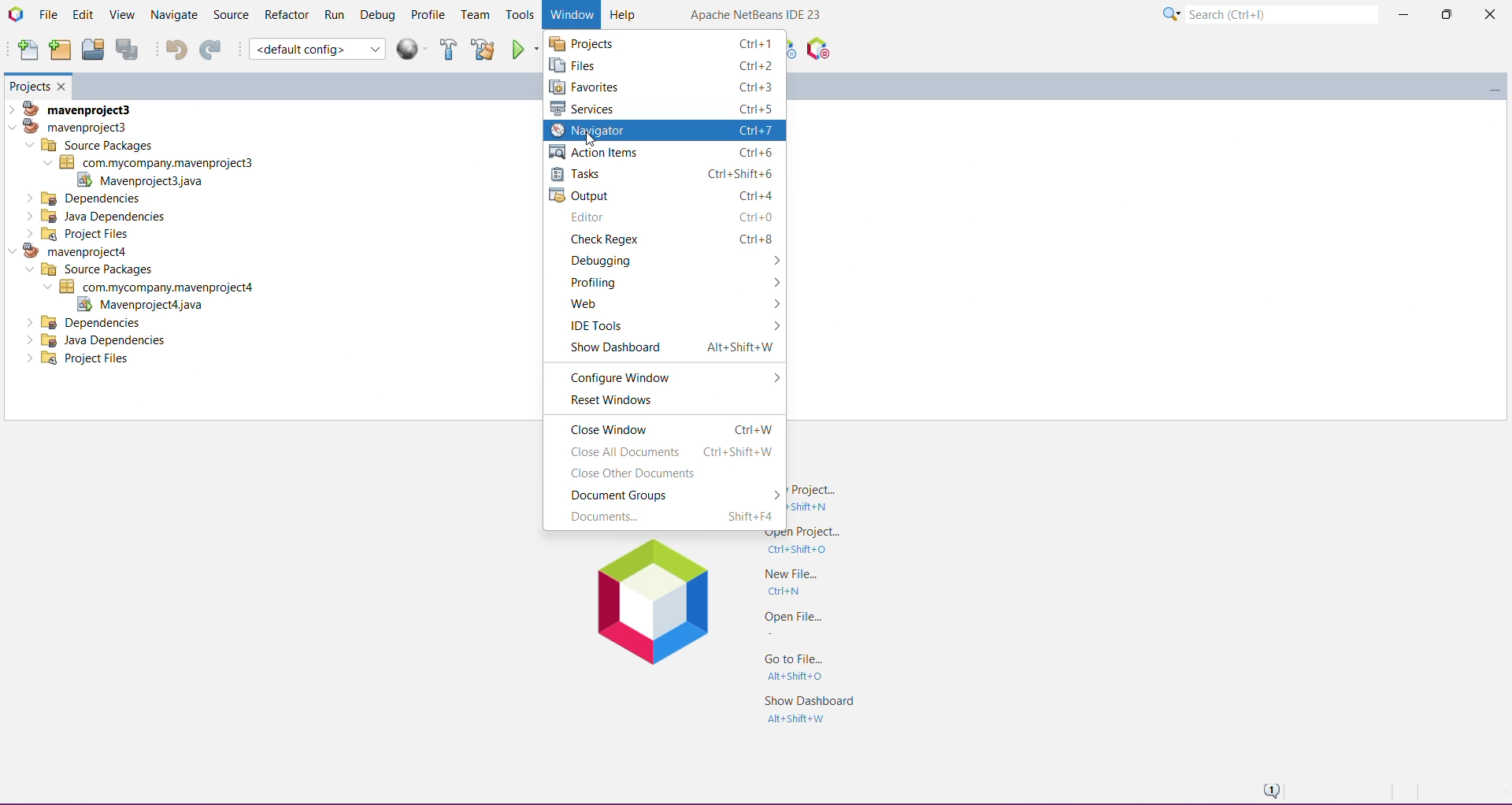  Describe the element at coordinates (149, 180) in the screenshot. I see `Mavenproject3.java` at that location.